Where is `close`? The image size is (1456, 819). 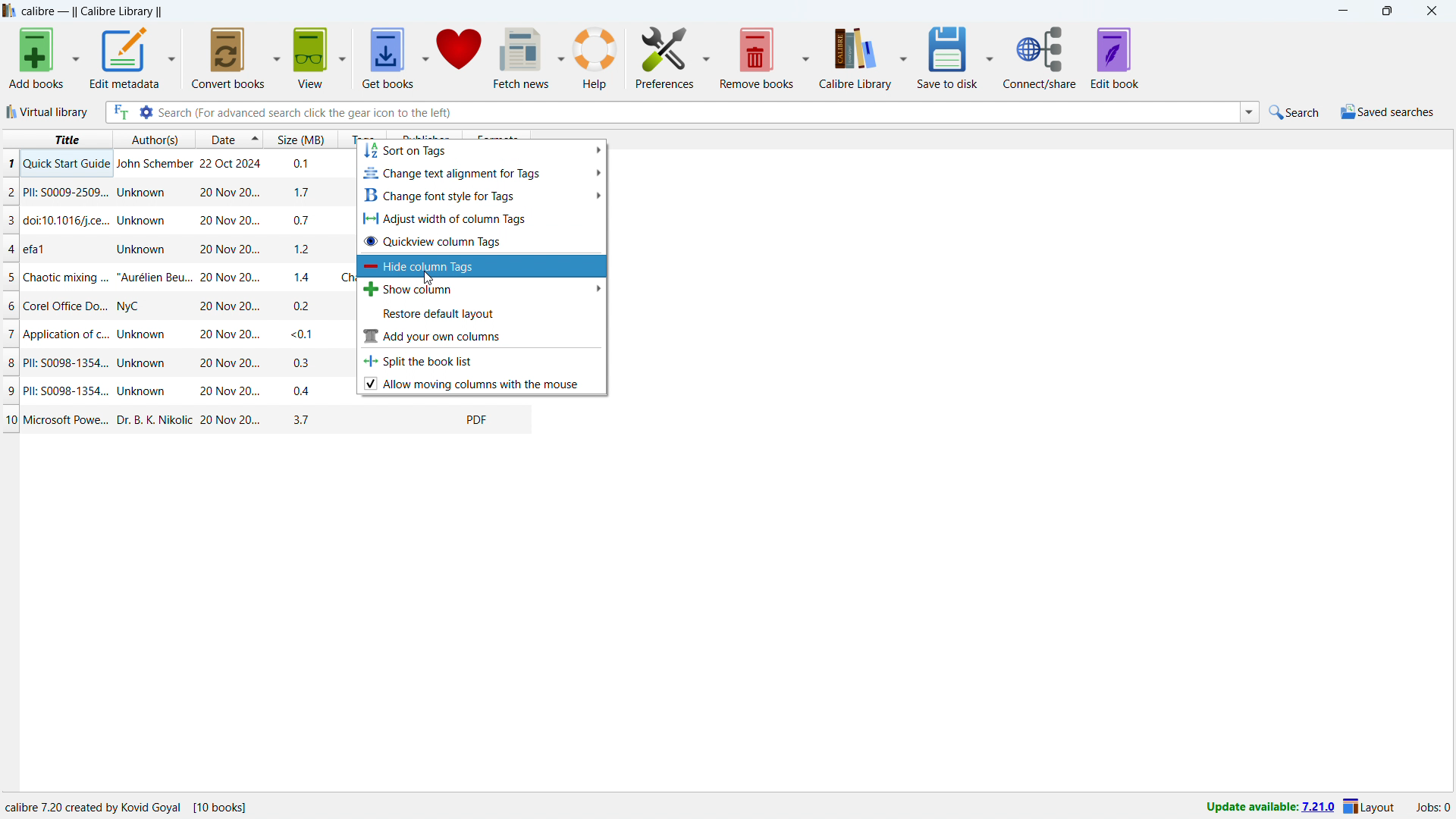
close is located at coordinates (1431, 11).